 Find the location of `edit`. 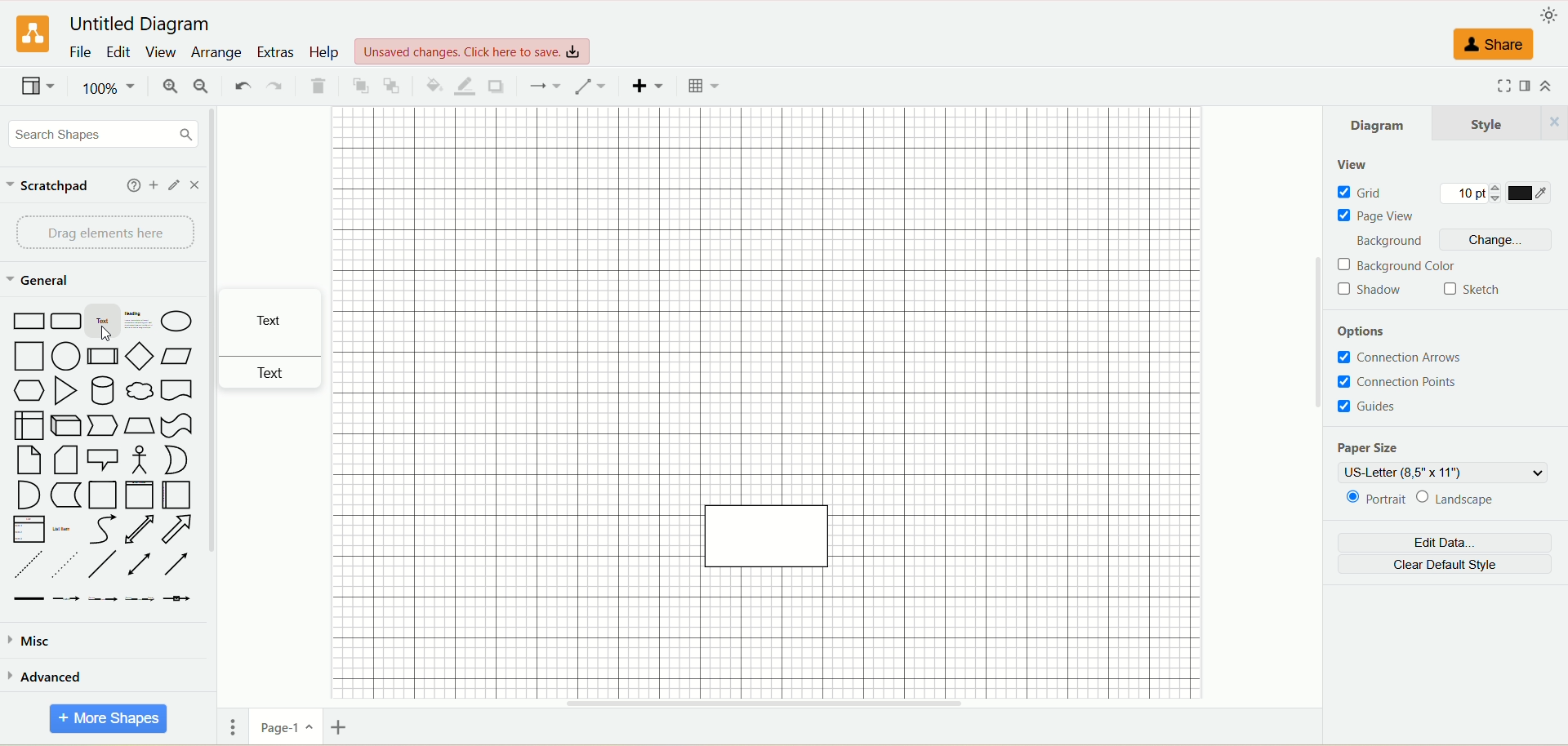

edit is located at coordinates (175, 185).